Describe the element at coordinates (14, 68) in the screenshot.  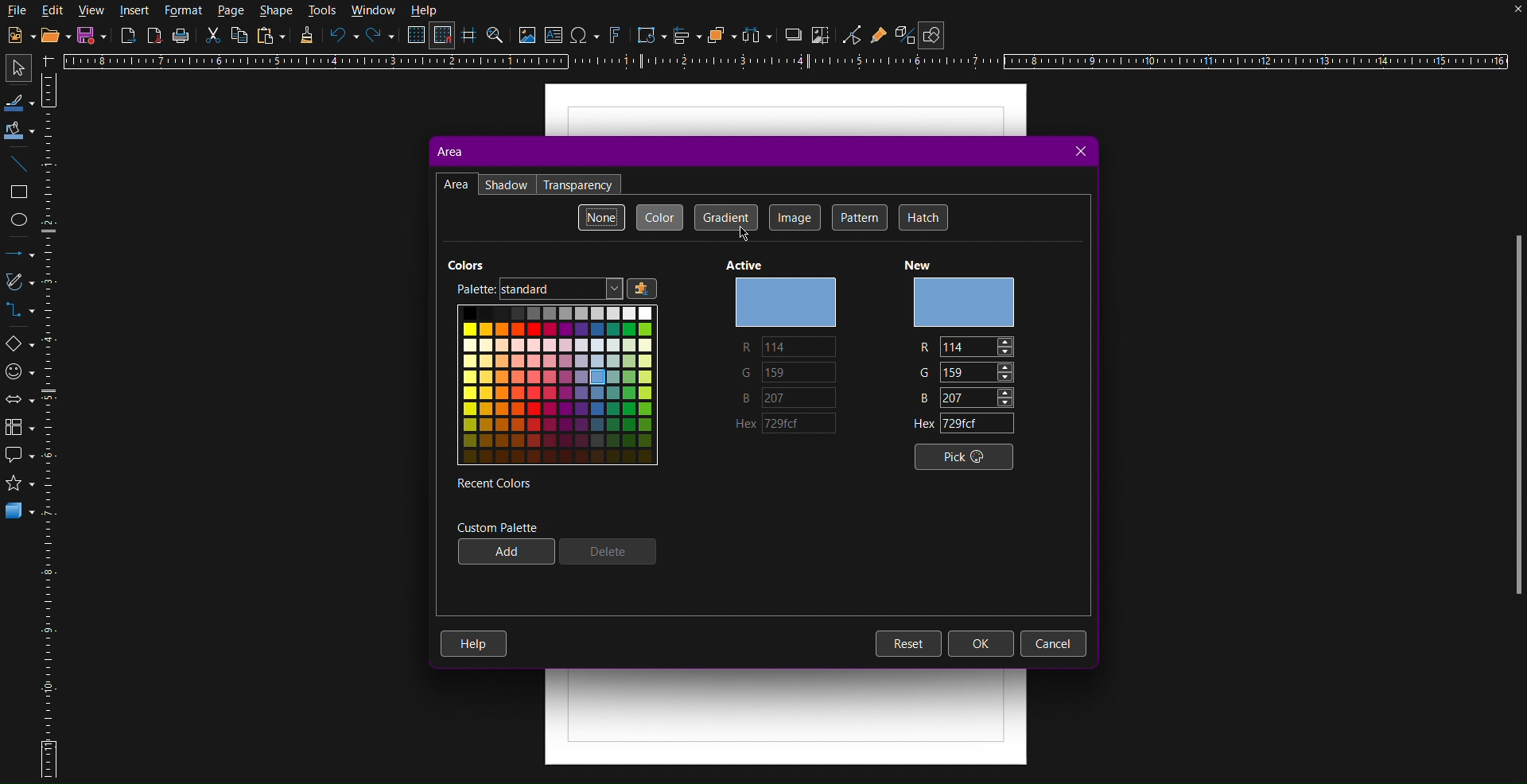
I see `Select` at that location.